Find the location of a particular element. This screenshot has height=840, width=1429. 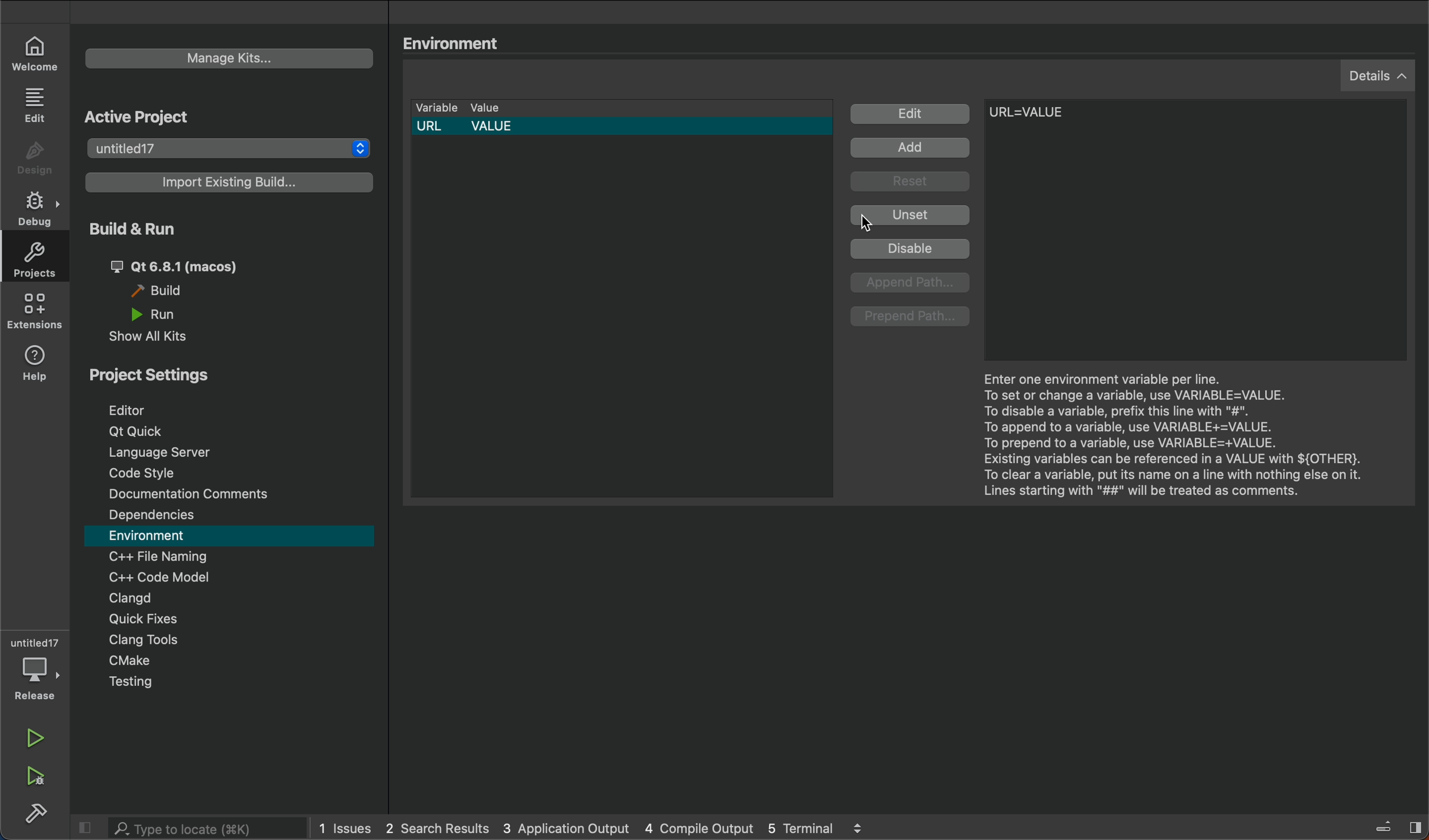

prepend path is located at coordinates (910, 318).